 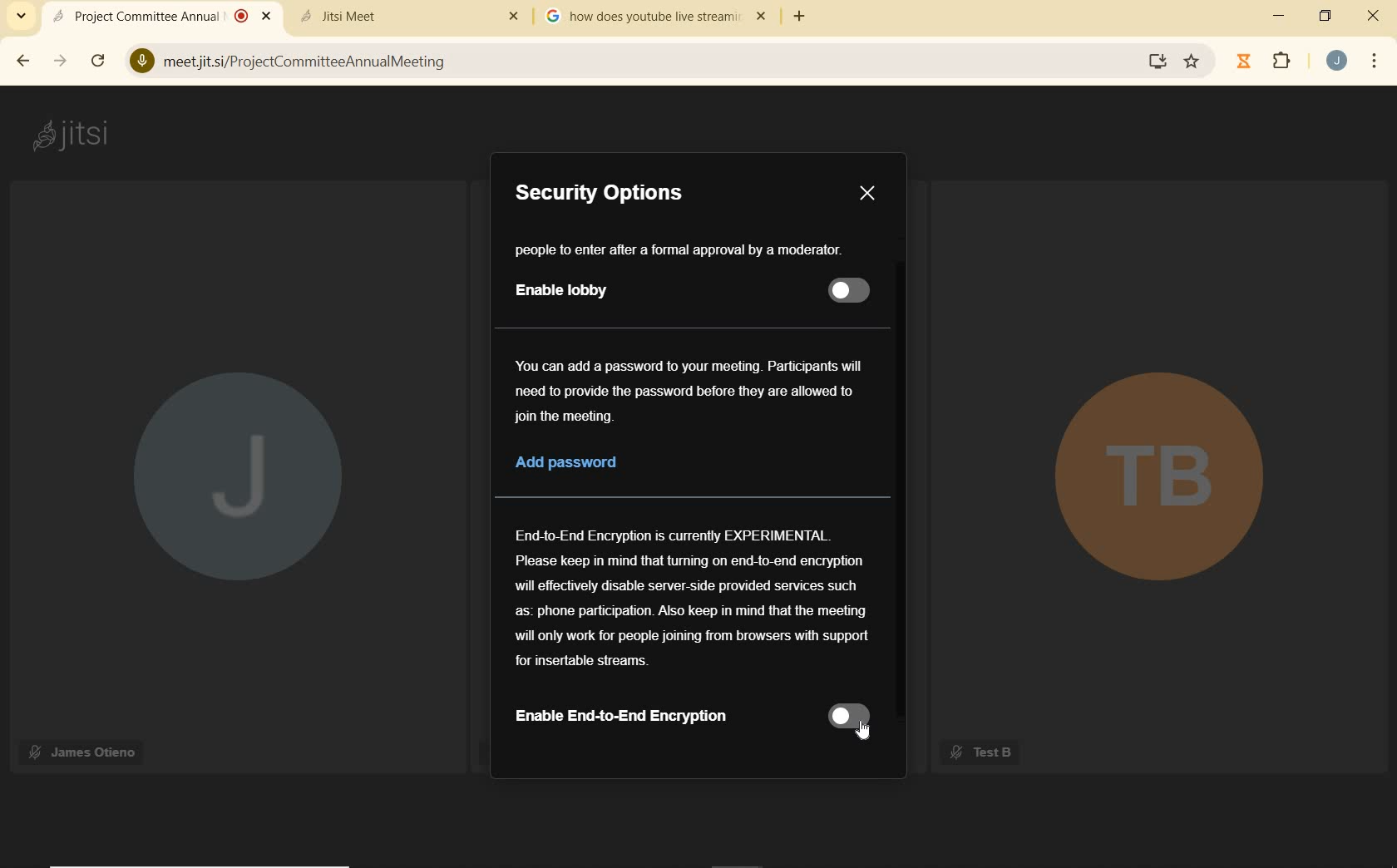 I want to click on J, so click(x=241, y=474).